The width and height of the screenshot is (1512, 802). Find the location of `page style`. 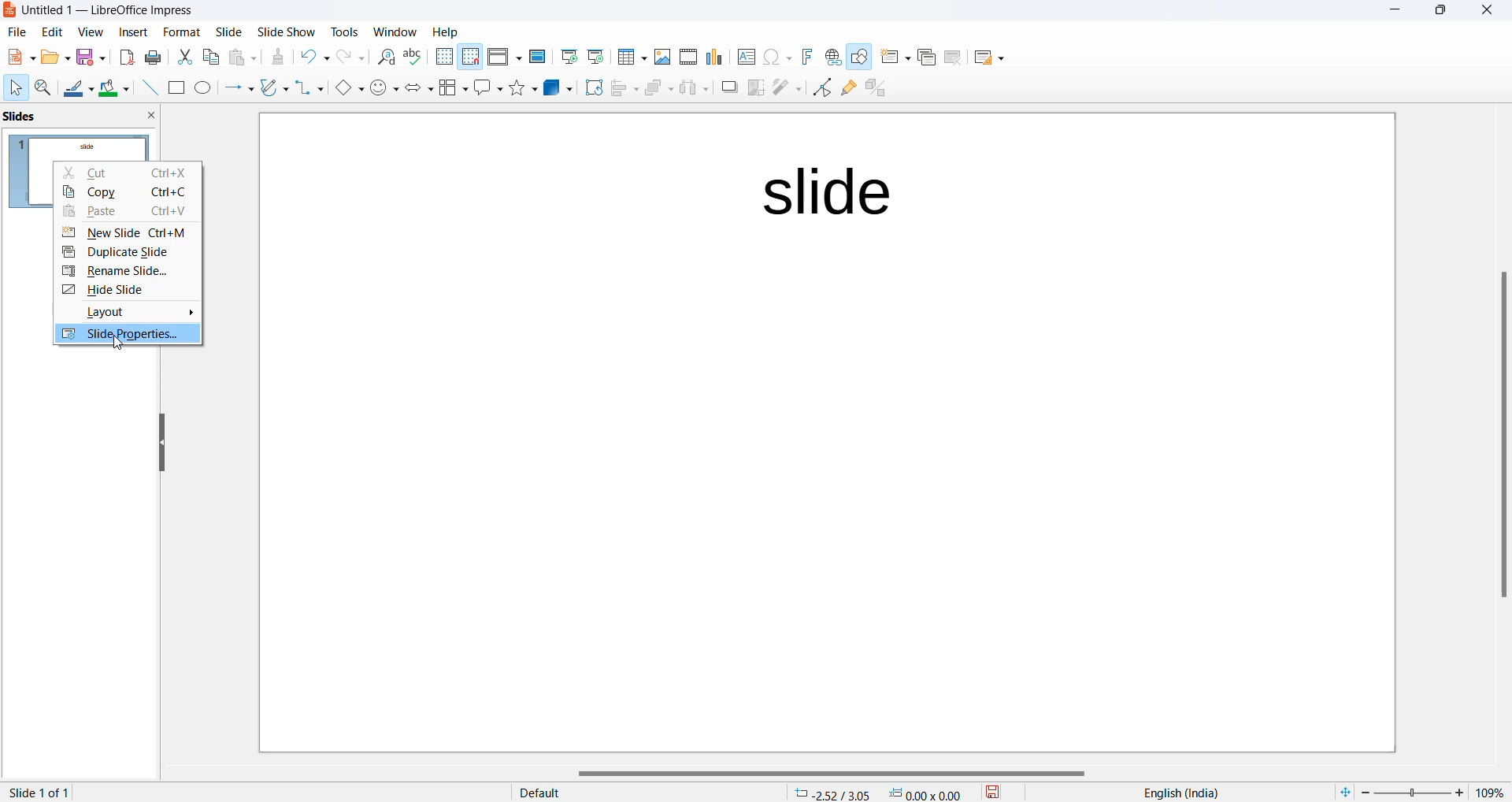

page style is located at coordinates (640, 792).